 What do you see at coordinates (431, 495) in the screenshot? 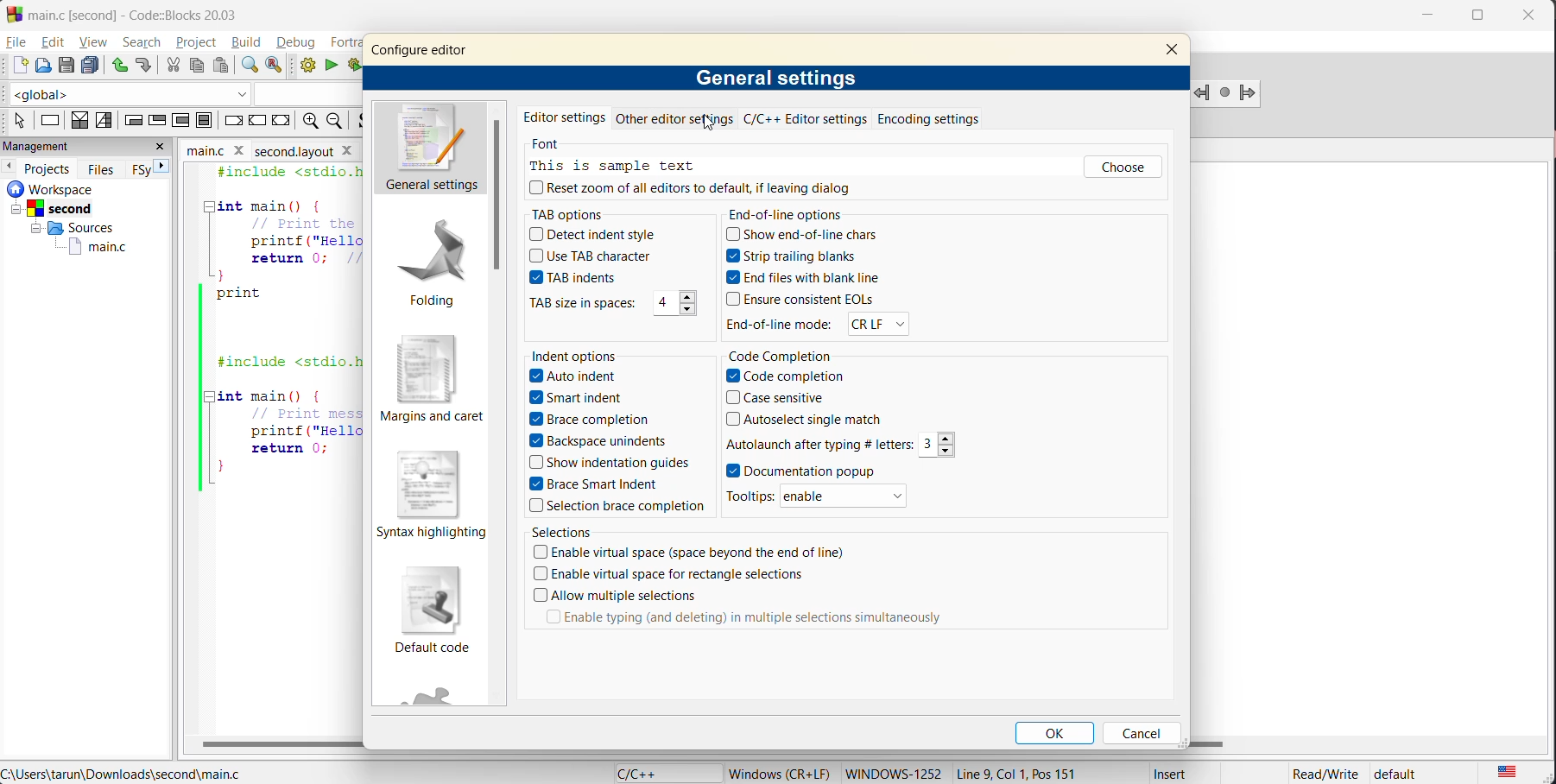
I see `syntax highlighting` at bounding box center [431, 495].